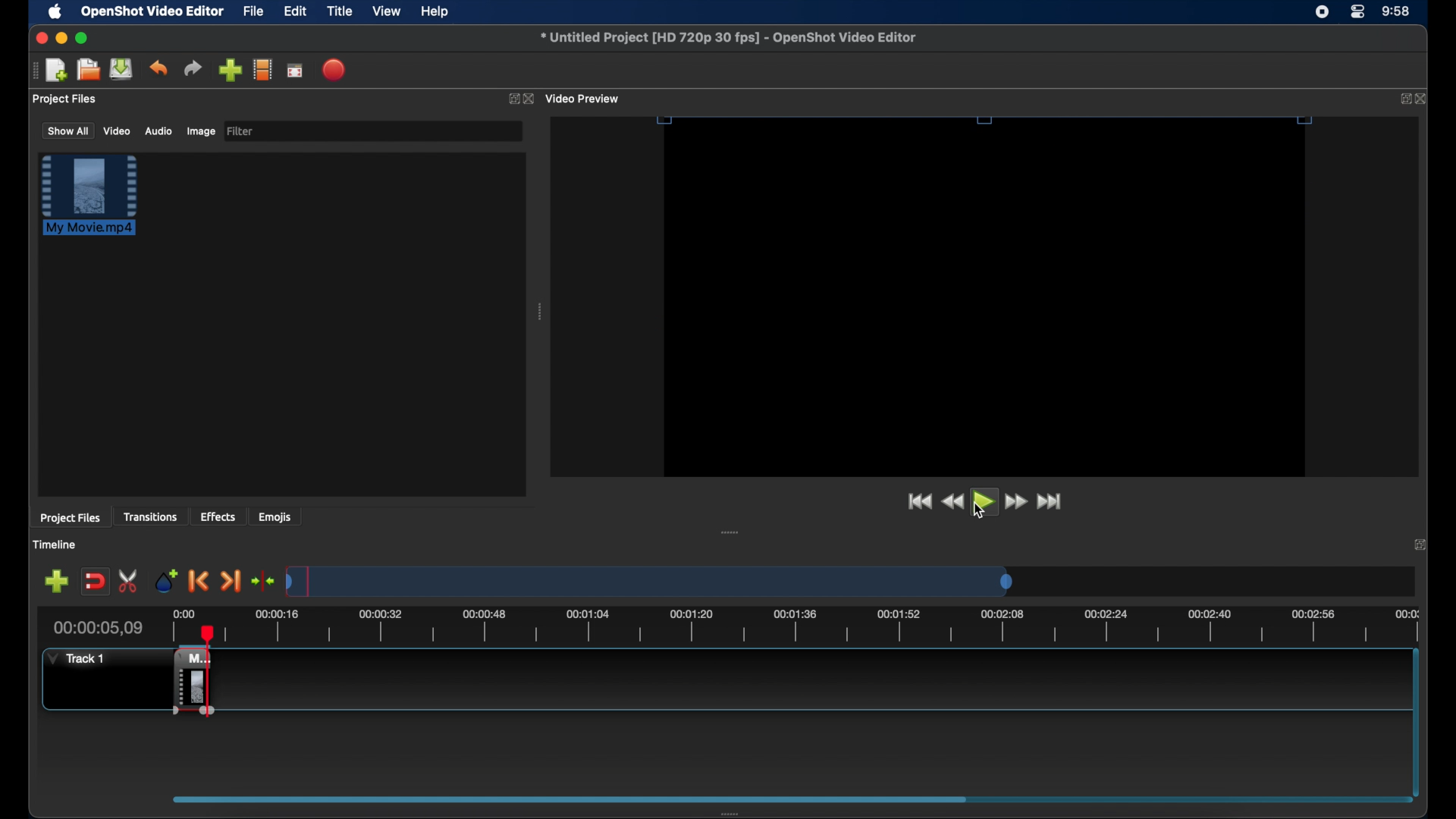 The image size is (1456, 819). Describe the element at coordinates (541, 312) in the screenshot. I see `drag handle` at that location.